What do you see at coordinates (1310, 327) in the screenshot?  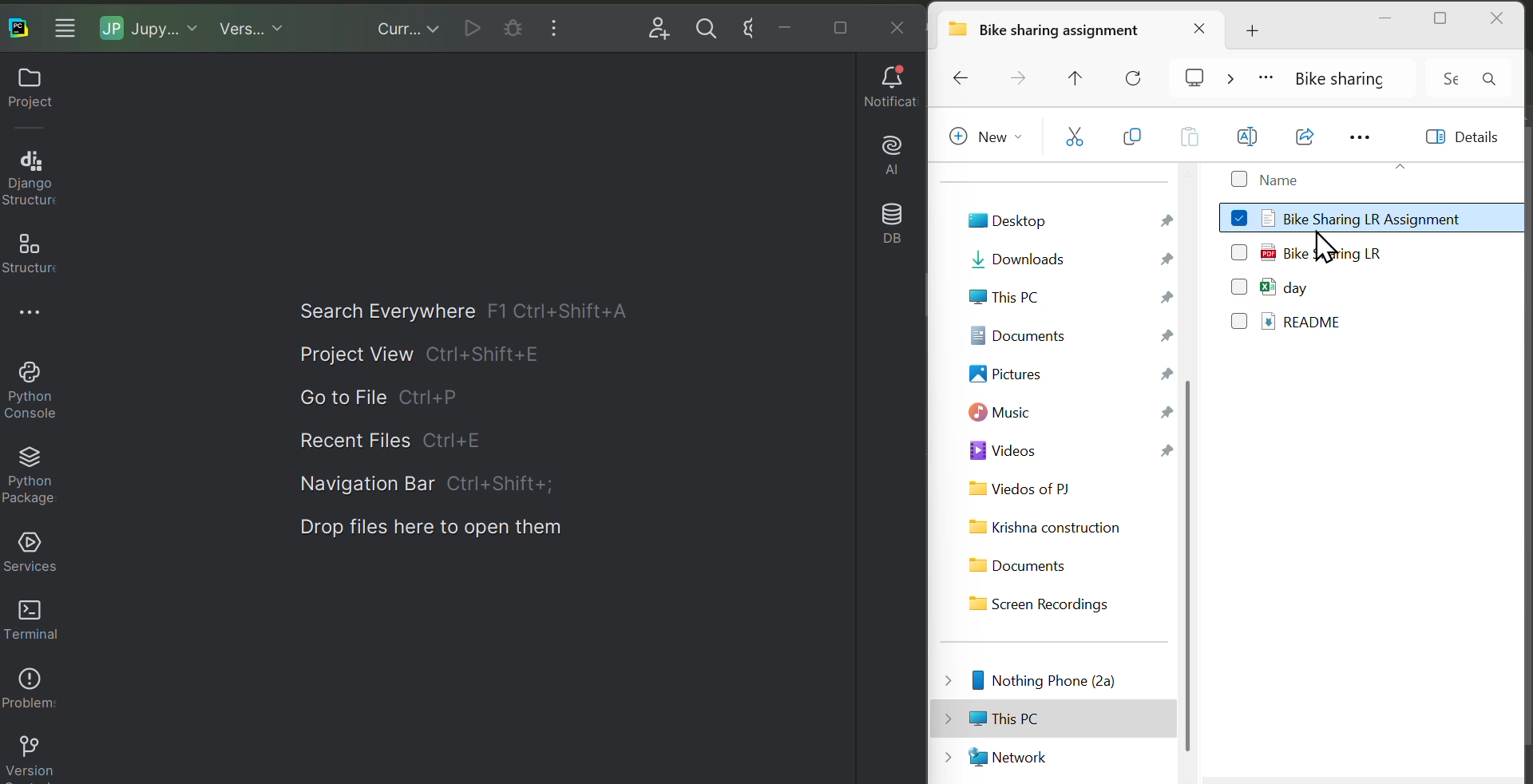 I see `README` at bounding box center [1310, 327].